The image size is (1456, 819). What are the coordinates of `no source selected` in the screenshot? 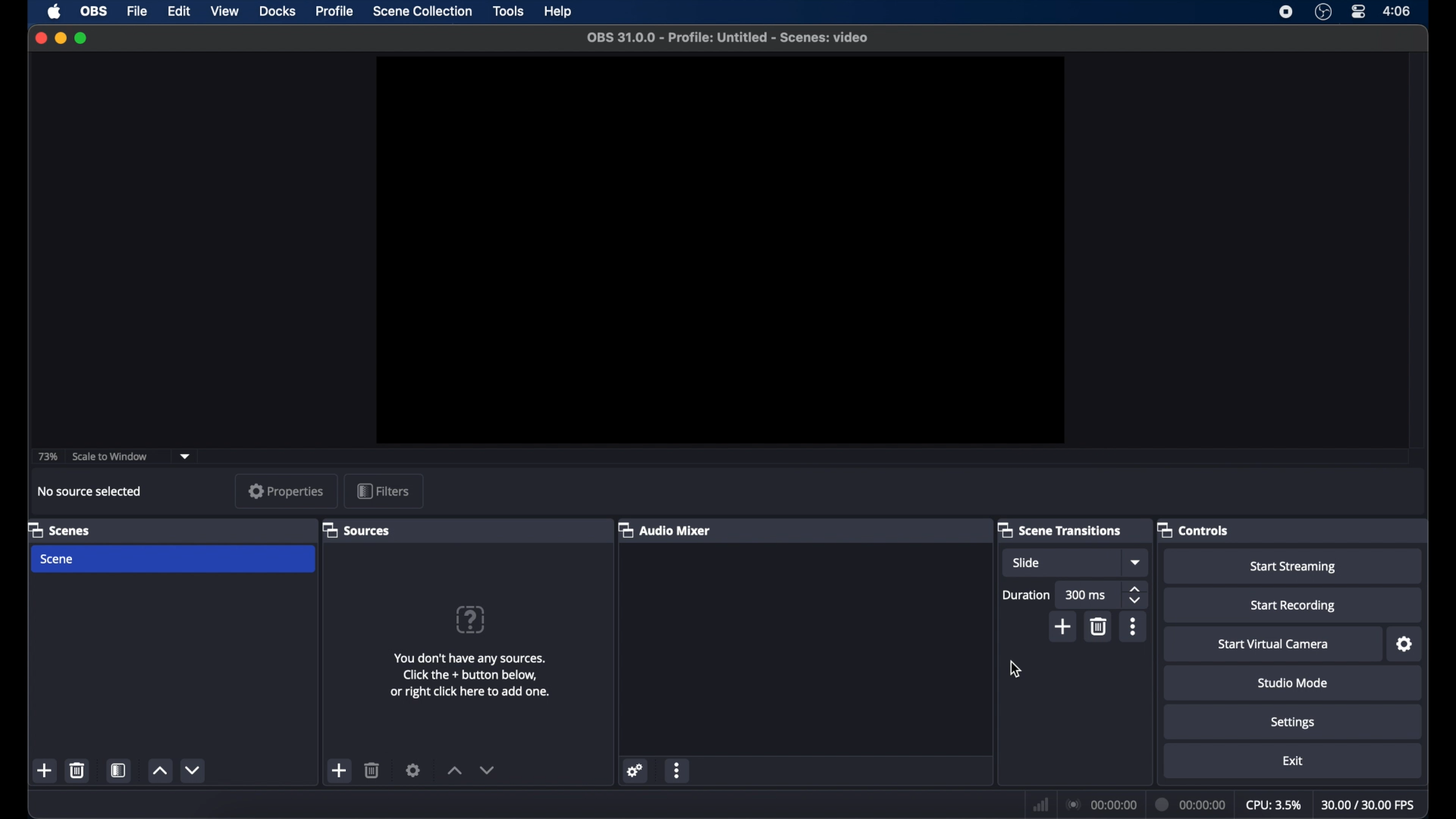 It's located at (90, 491).